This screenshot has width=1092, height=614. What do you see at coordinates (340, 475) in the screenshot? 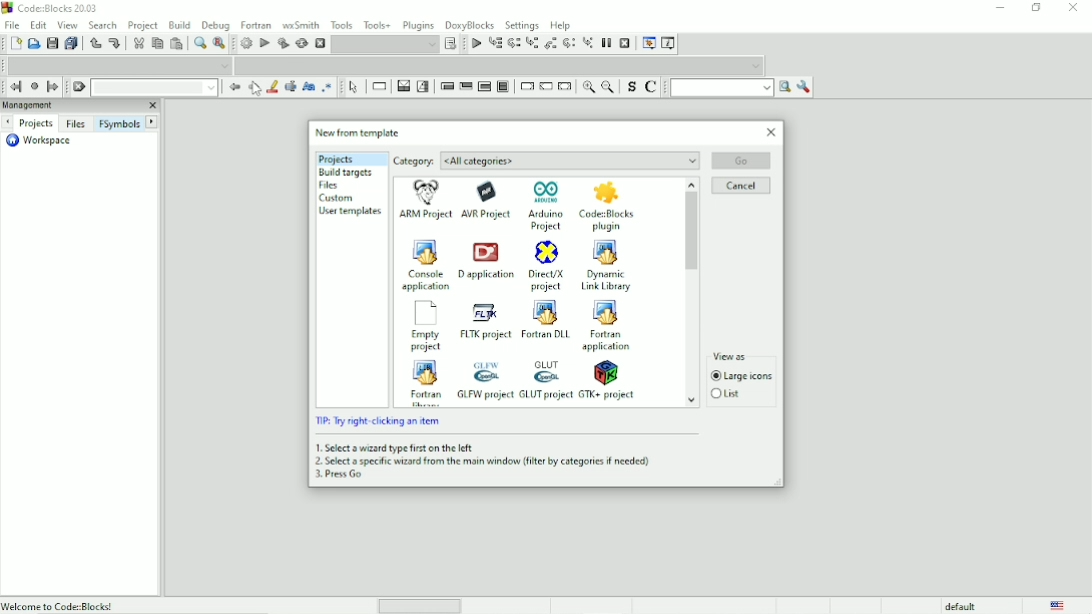
I see `3. Press Go` at bounding box center [340, 475].